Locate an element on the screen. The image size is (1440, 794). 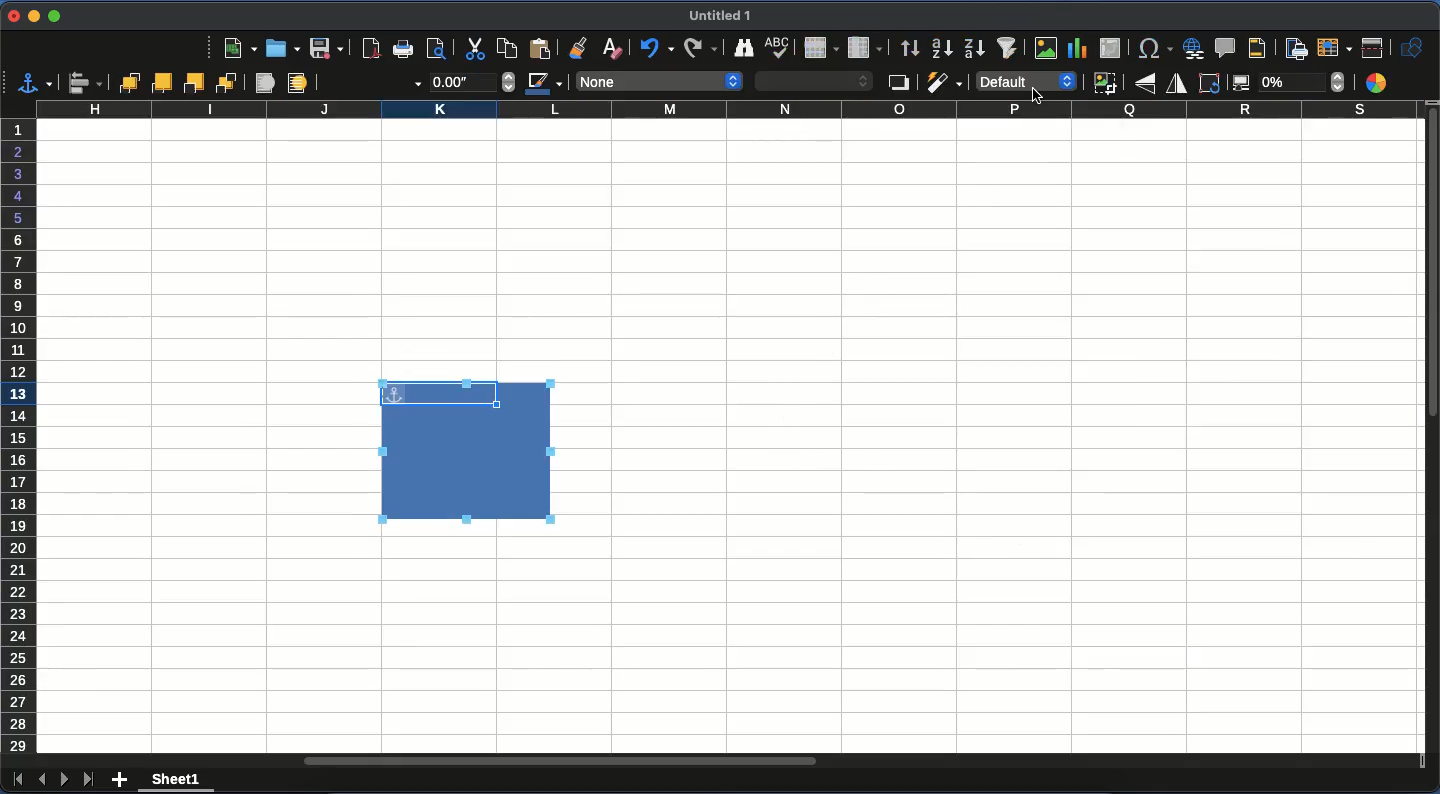
show draw function is located at coordinates (1412, 48).